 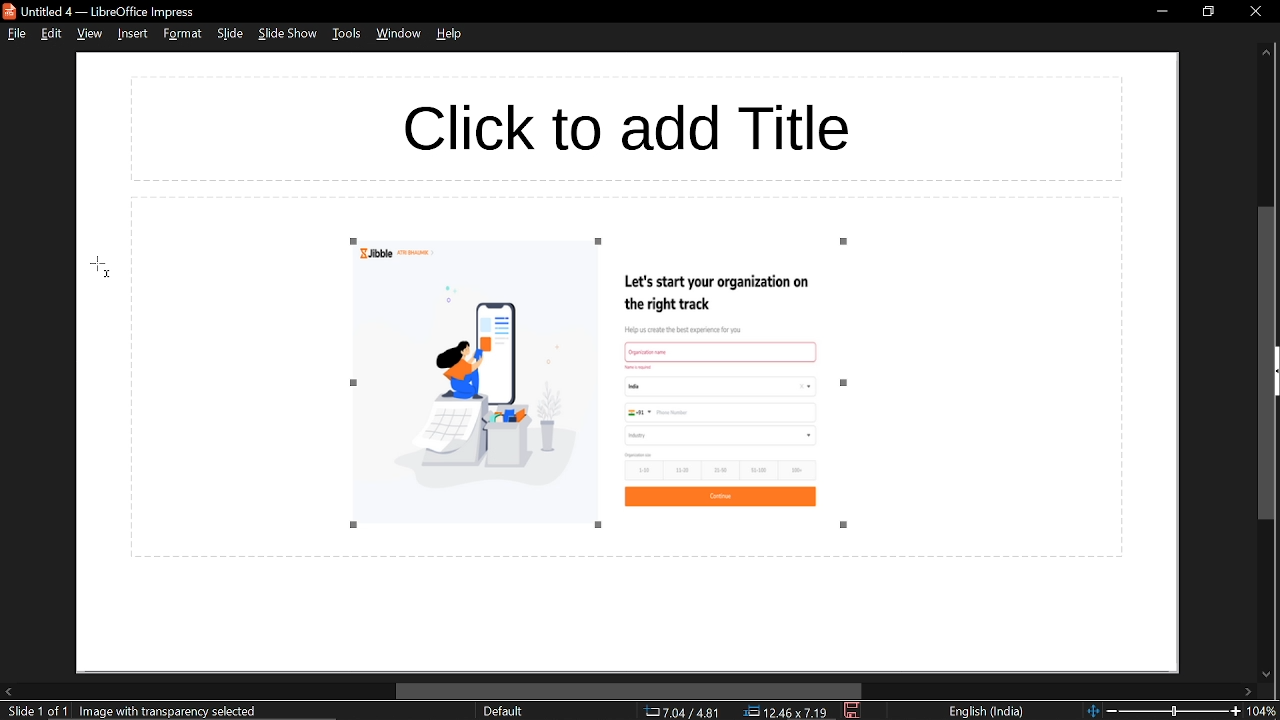 What do you see at coordinates (88, 35) in the screenshot?
I see `view` at bounding box center [88, 35].